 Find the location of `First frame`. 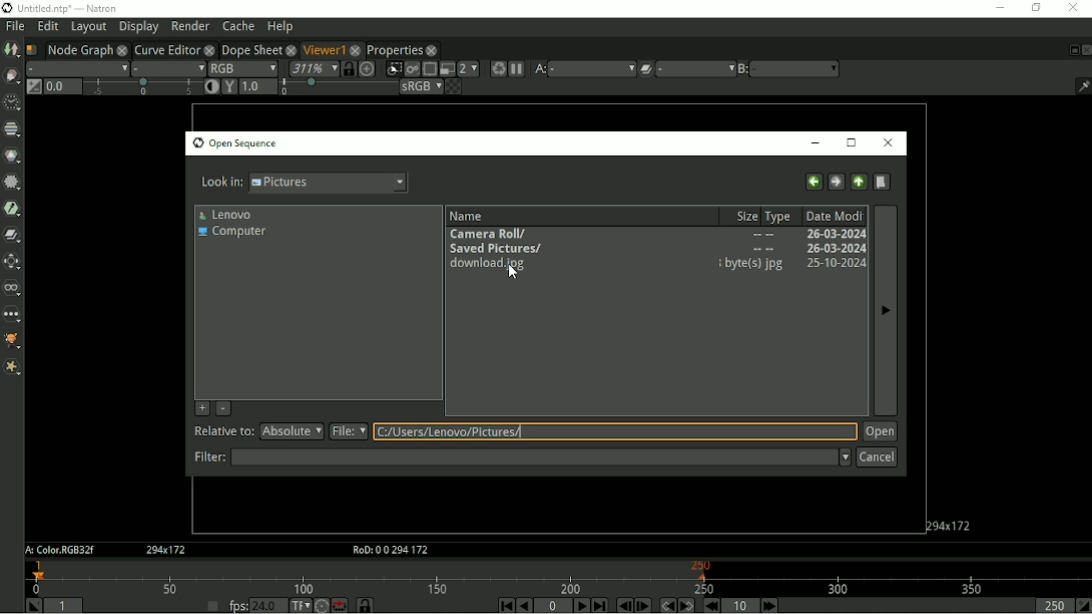

First frame is located at coordinates (505, 605).